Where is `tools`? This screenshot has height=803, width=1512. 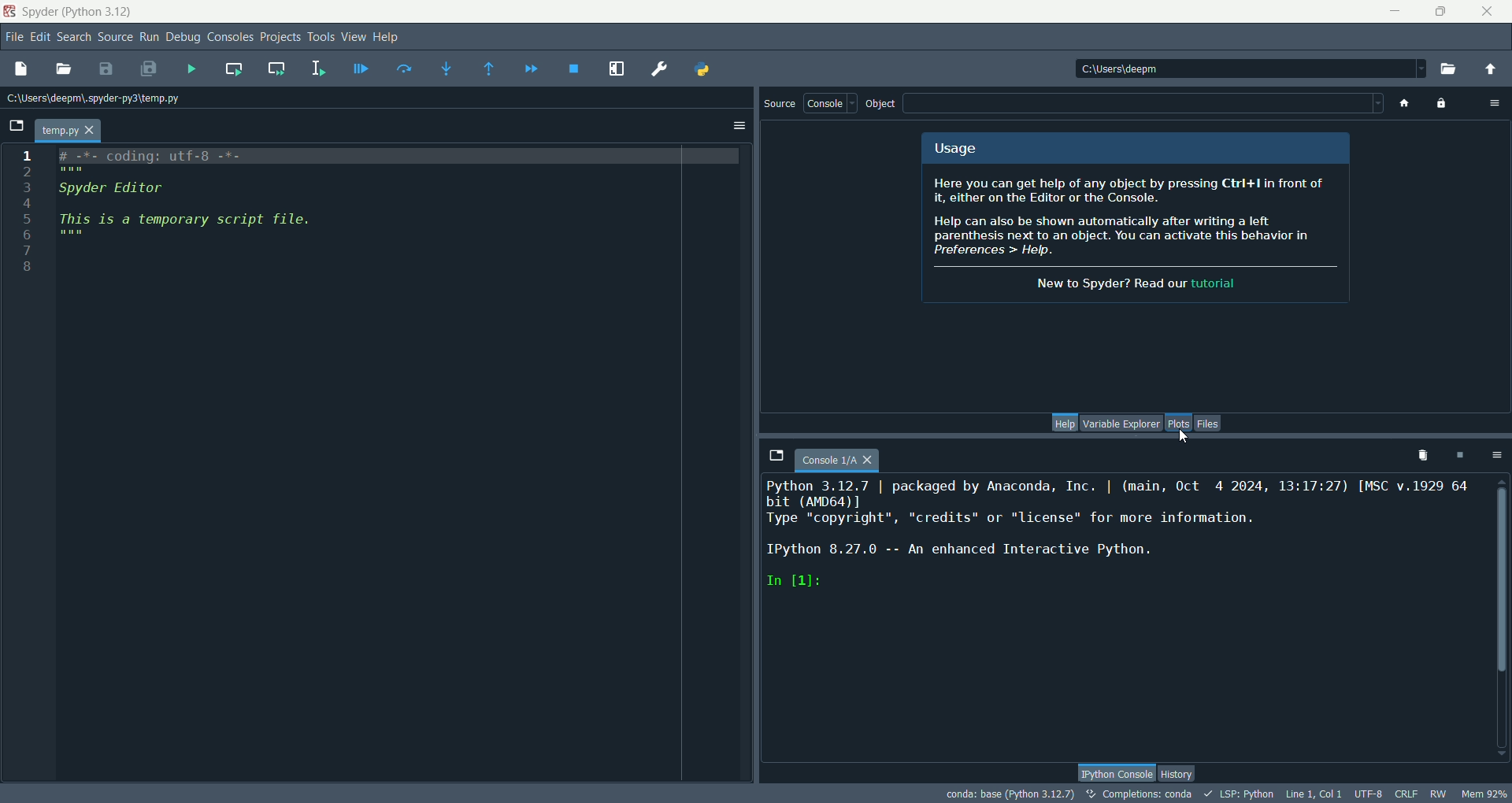 tools is located at coordinates (322, 37).